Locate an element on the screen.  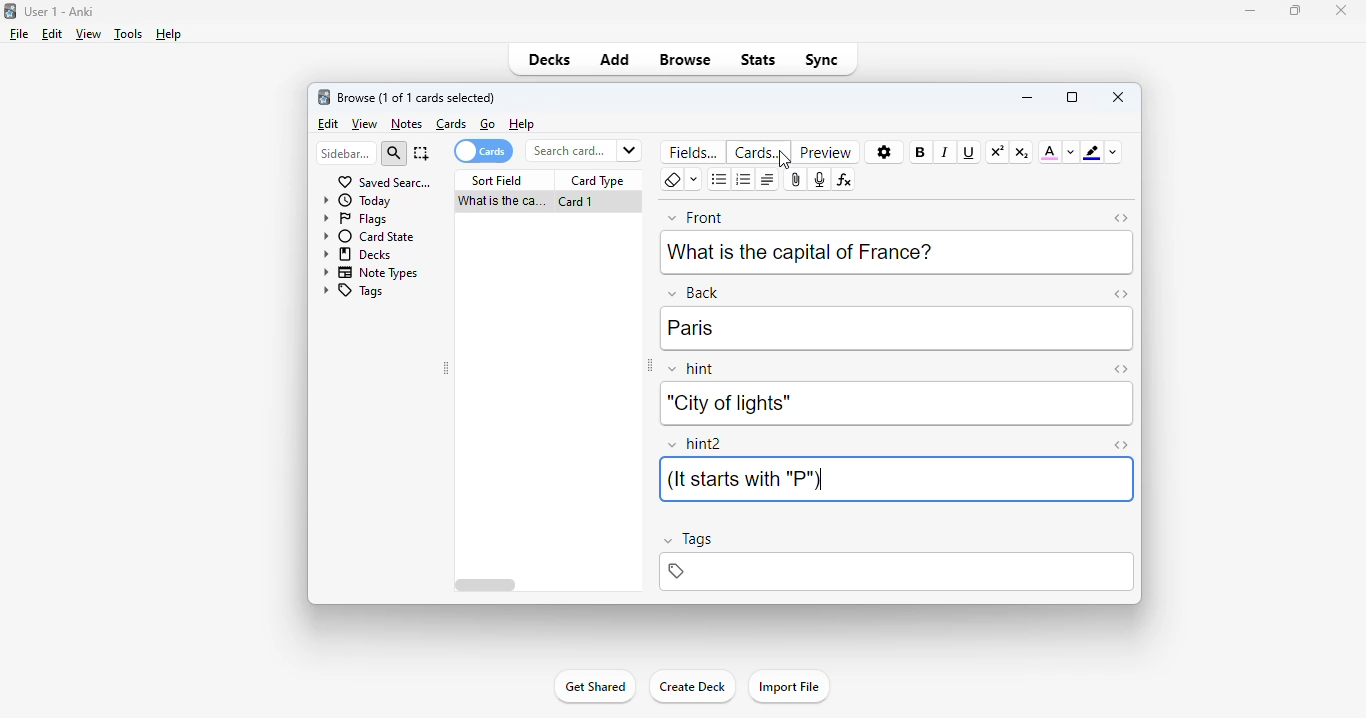
text highlighting color is located at coordinates (1091, 152).